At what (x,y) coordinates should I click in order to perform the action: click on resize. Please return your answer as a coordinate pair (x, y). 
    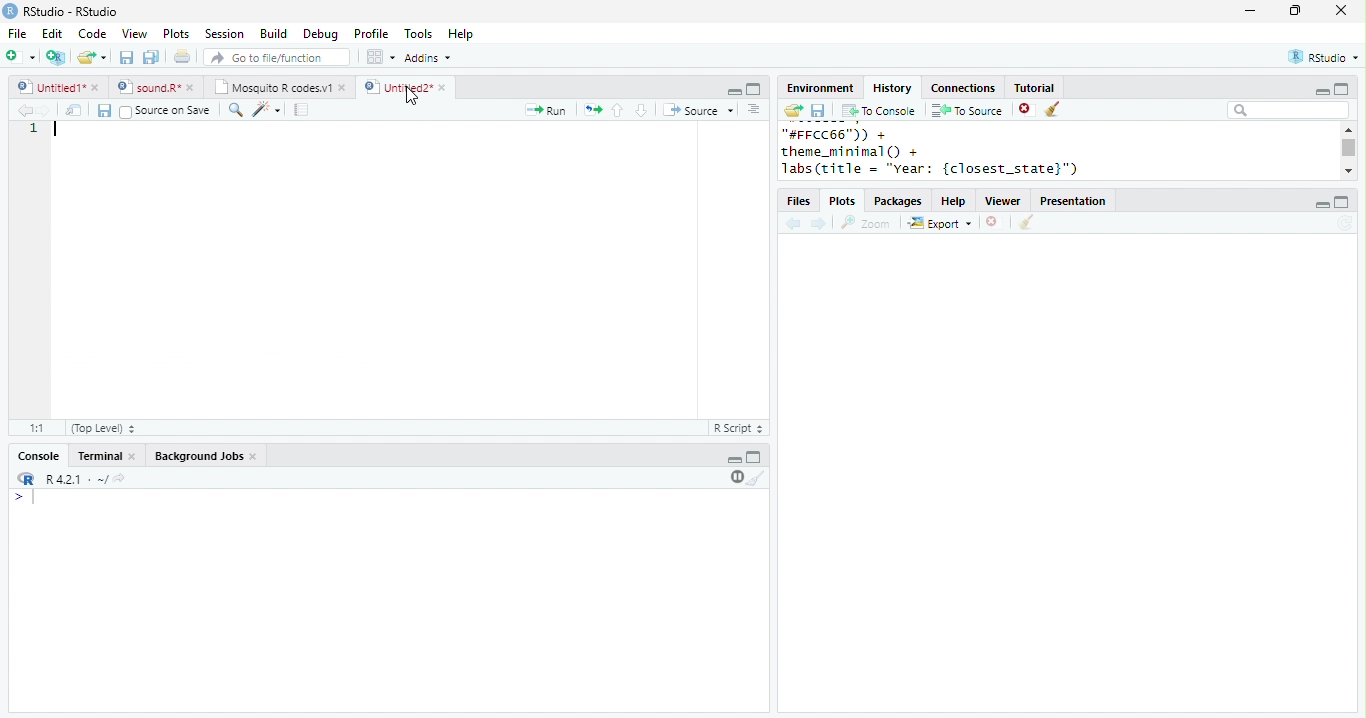
    Looking at the image, I should click on (1295, 11).